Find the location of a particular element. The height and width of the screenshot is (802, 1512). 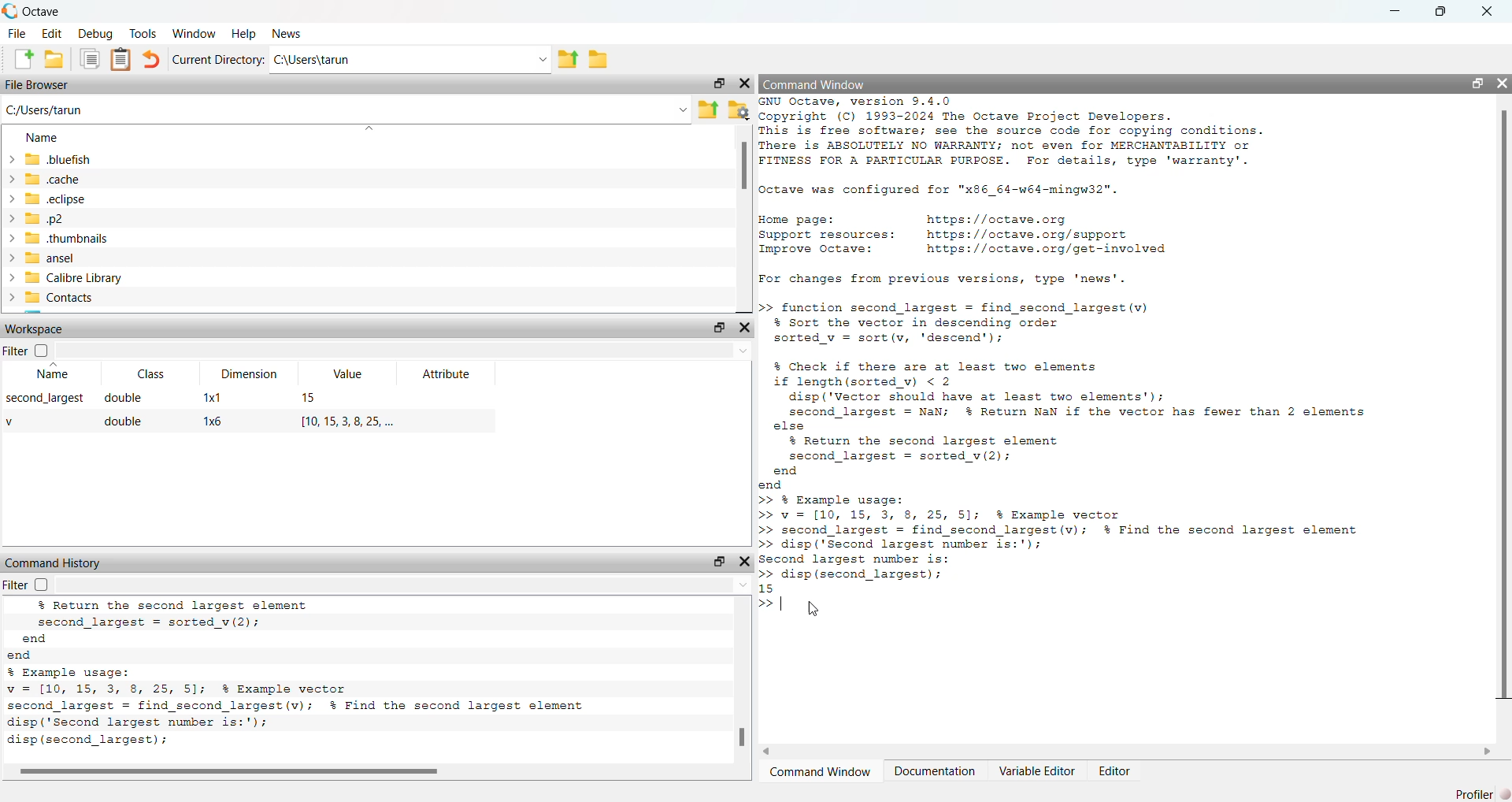

attribute is located at coordinates (447, 376).